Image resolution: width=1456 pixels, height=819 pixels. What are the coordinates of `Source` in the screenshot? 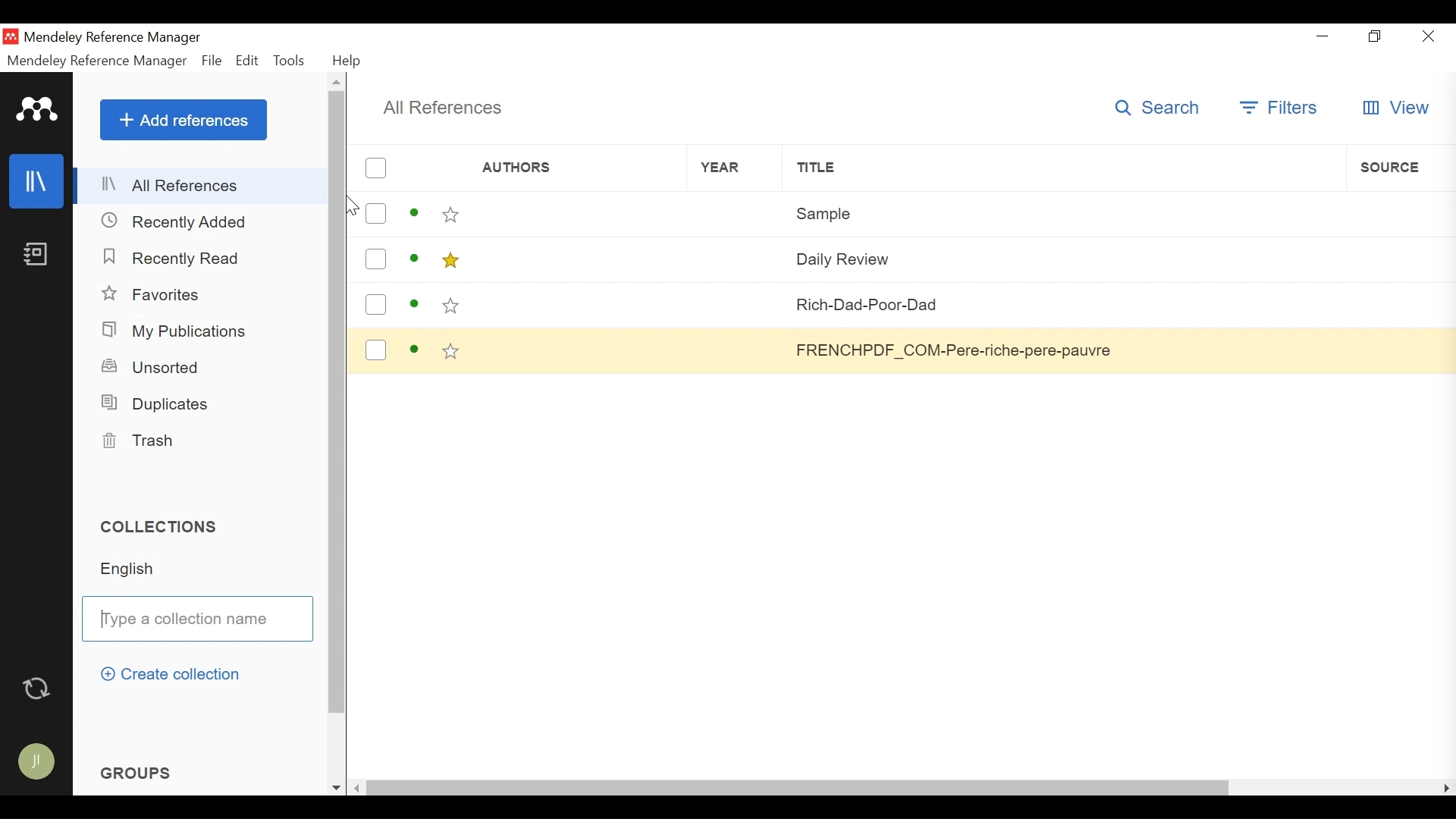 It's located at (1396, 257).